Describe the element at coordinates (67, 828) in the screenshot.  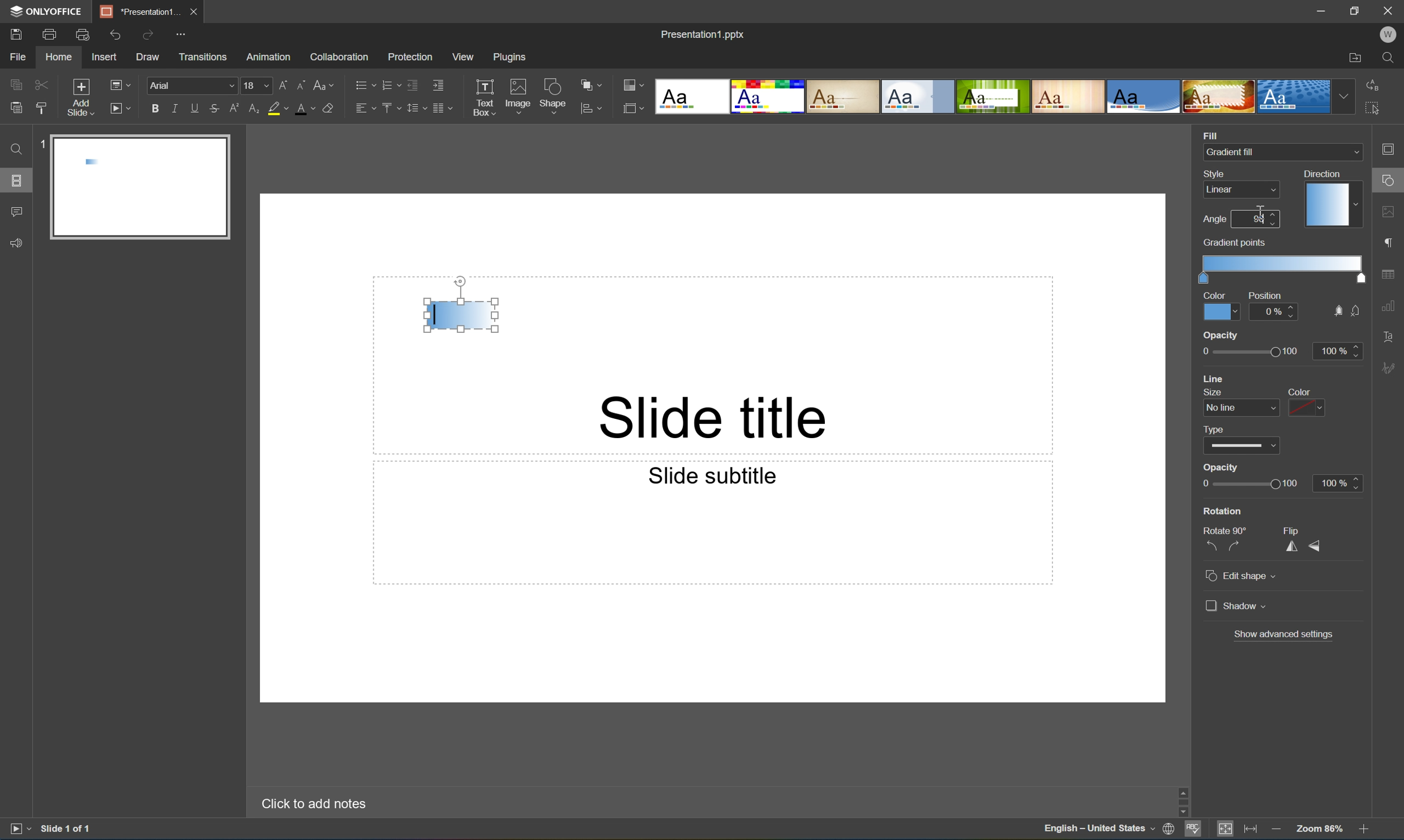
I see `Slide 1 of 1` at that location.